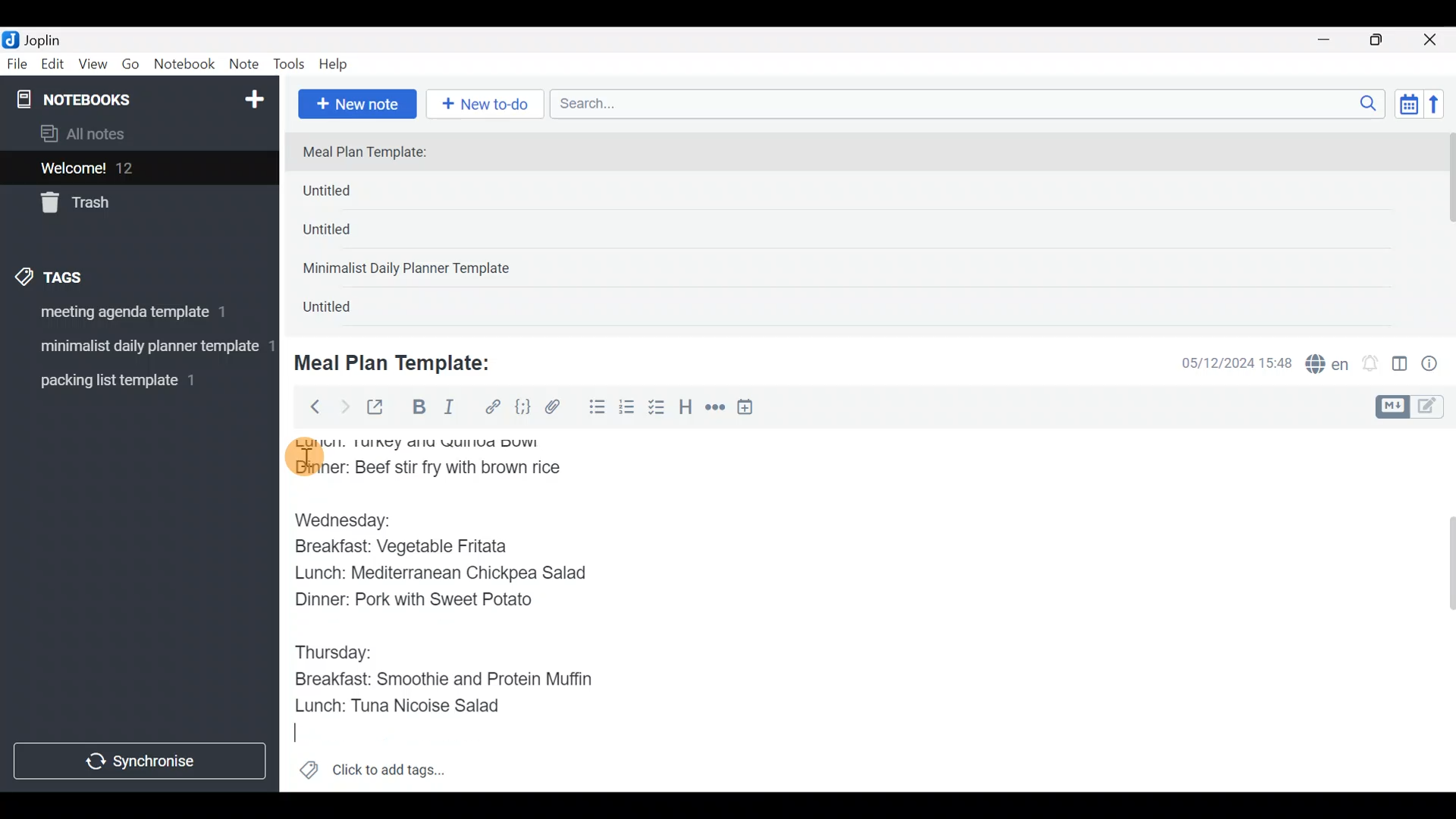  Describe the element at coordinates (136, 135) in the screenshot. I see `All notes` at that location.